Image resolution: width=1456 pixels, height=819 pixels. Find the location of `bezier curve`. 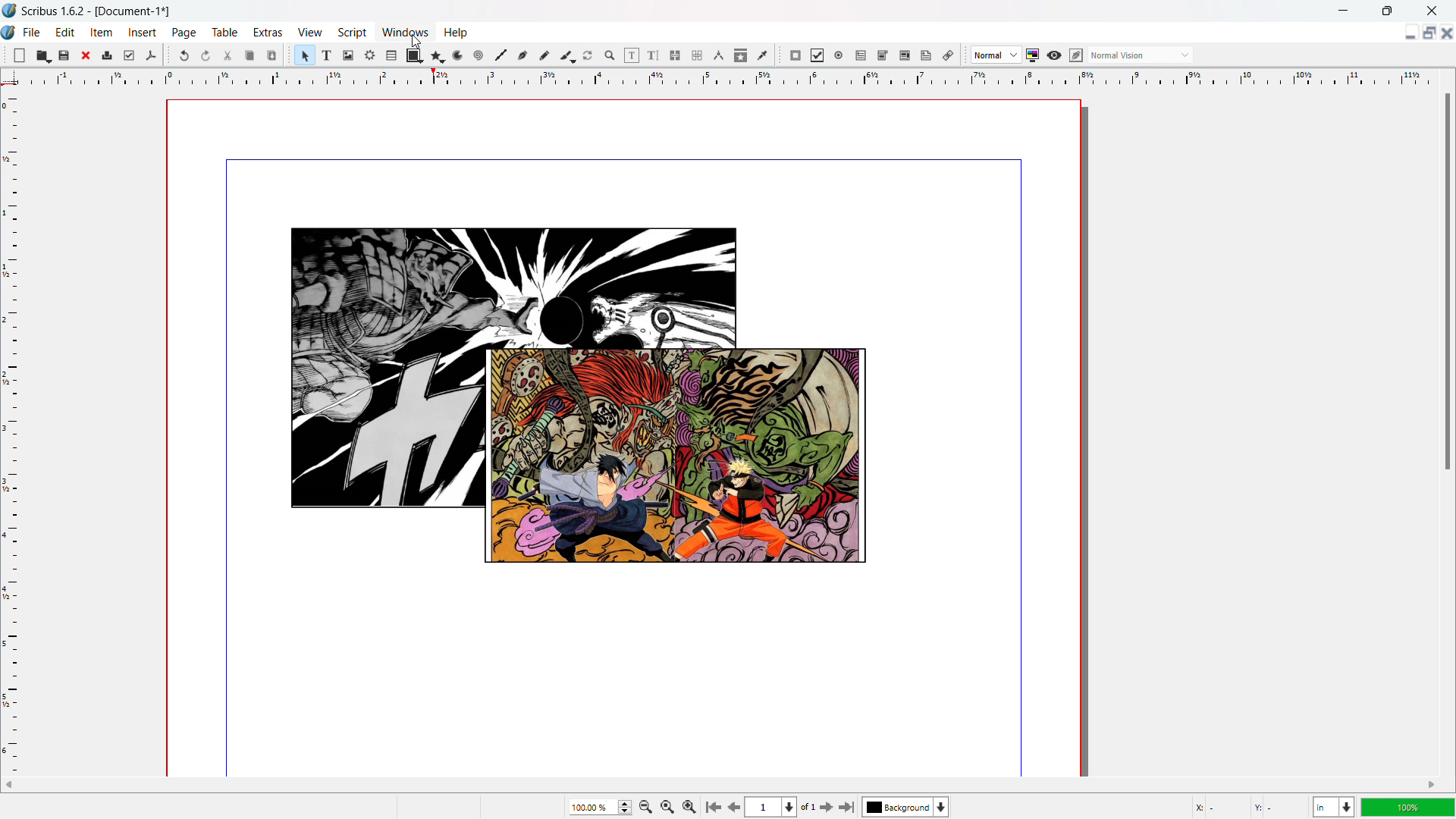

bezier curve is located at coordinates (522, 55).